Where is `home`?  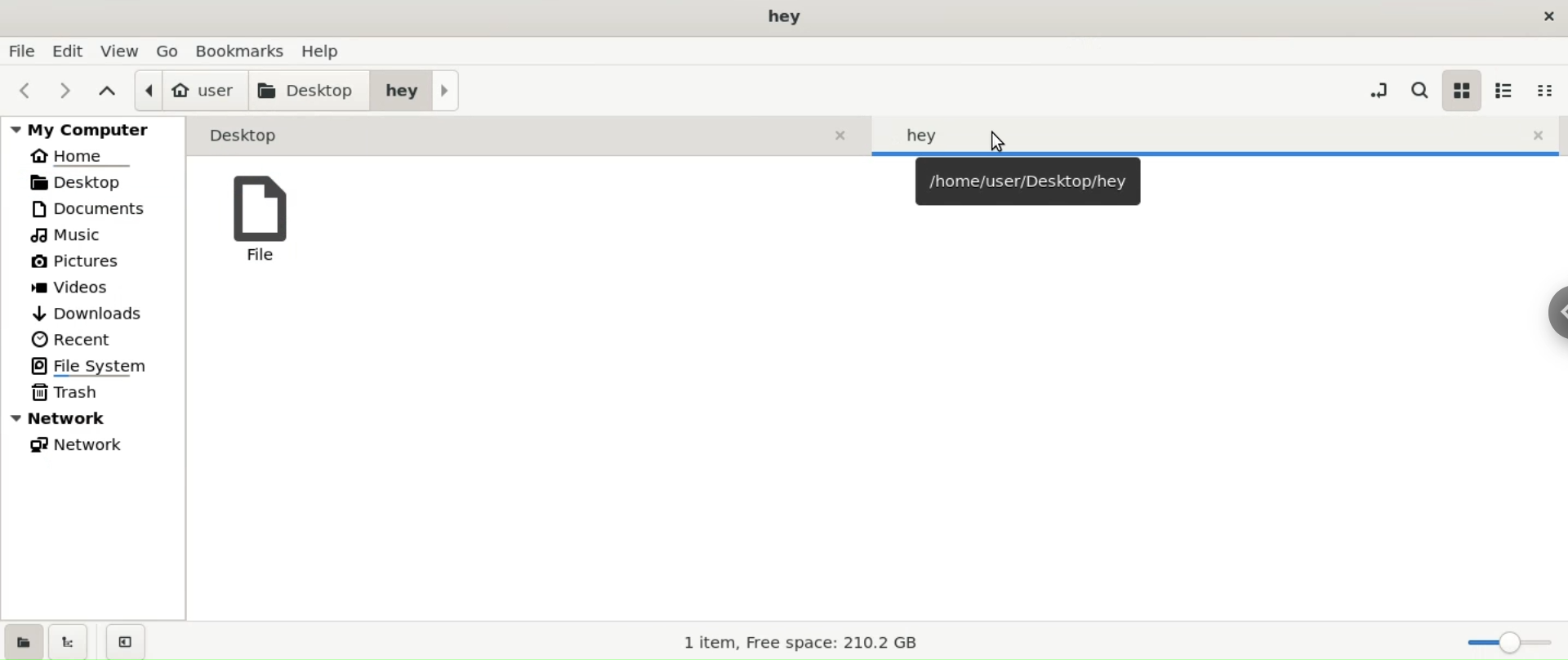 home is located at coordinates (93, 156).